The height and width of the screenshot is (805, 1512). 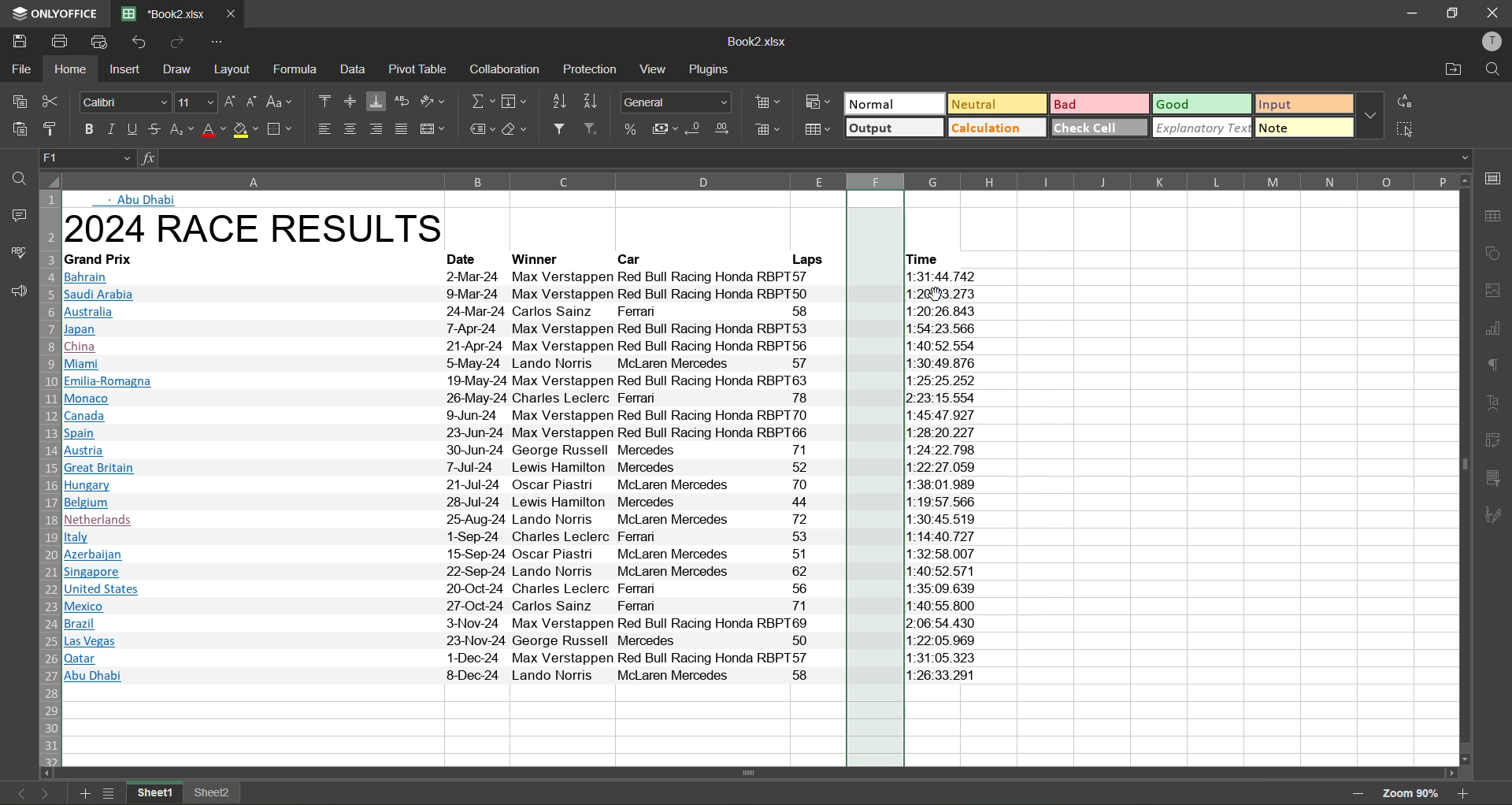 I want to click on Brazil 3-Nov-24 Max Verstappen Red Bull Racing Honda RBPT69 2:06:54.430, so click(x=443, y=624).